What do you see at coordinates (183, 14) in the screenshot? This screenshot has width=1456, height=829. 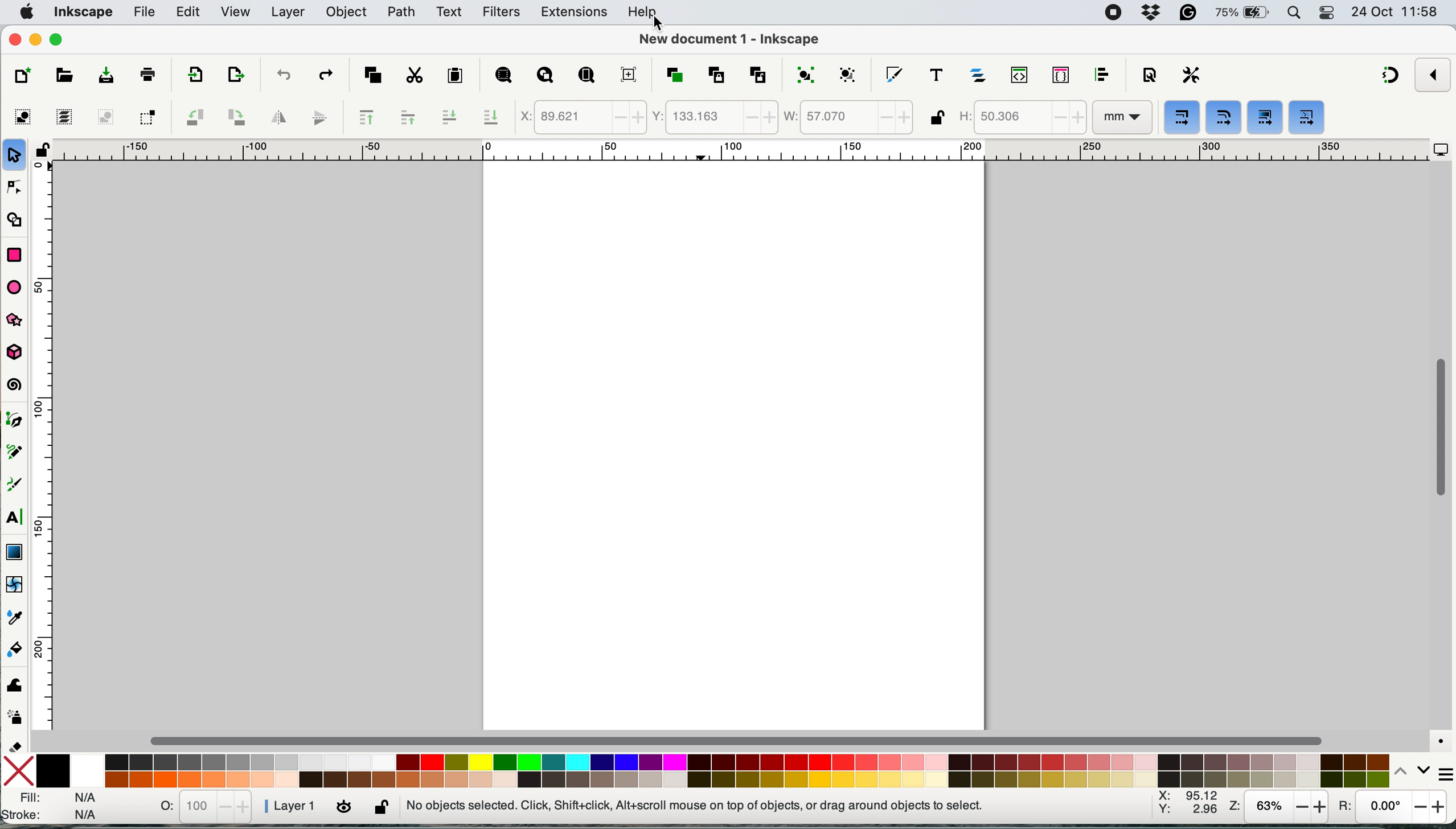 I see `edit` at bounding box center [183, 14].